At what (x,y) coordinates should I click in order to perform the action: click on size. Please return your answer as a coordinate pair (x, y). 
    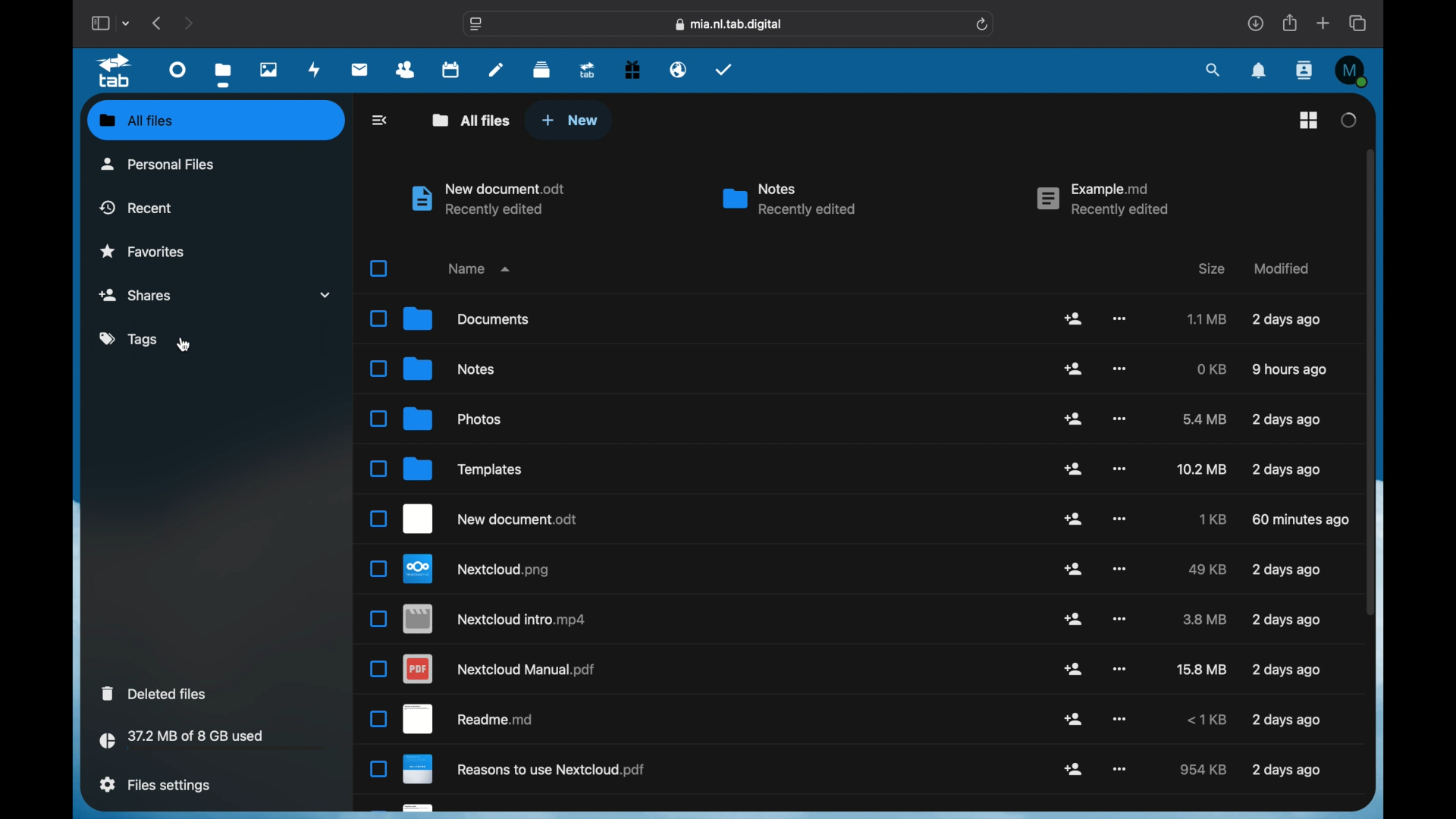
    Looking at the image, I should click on (1211, 268).